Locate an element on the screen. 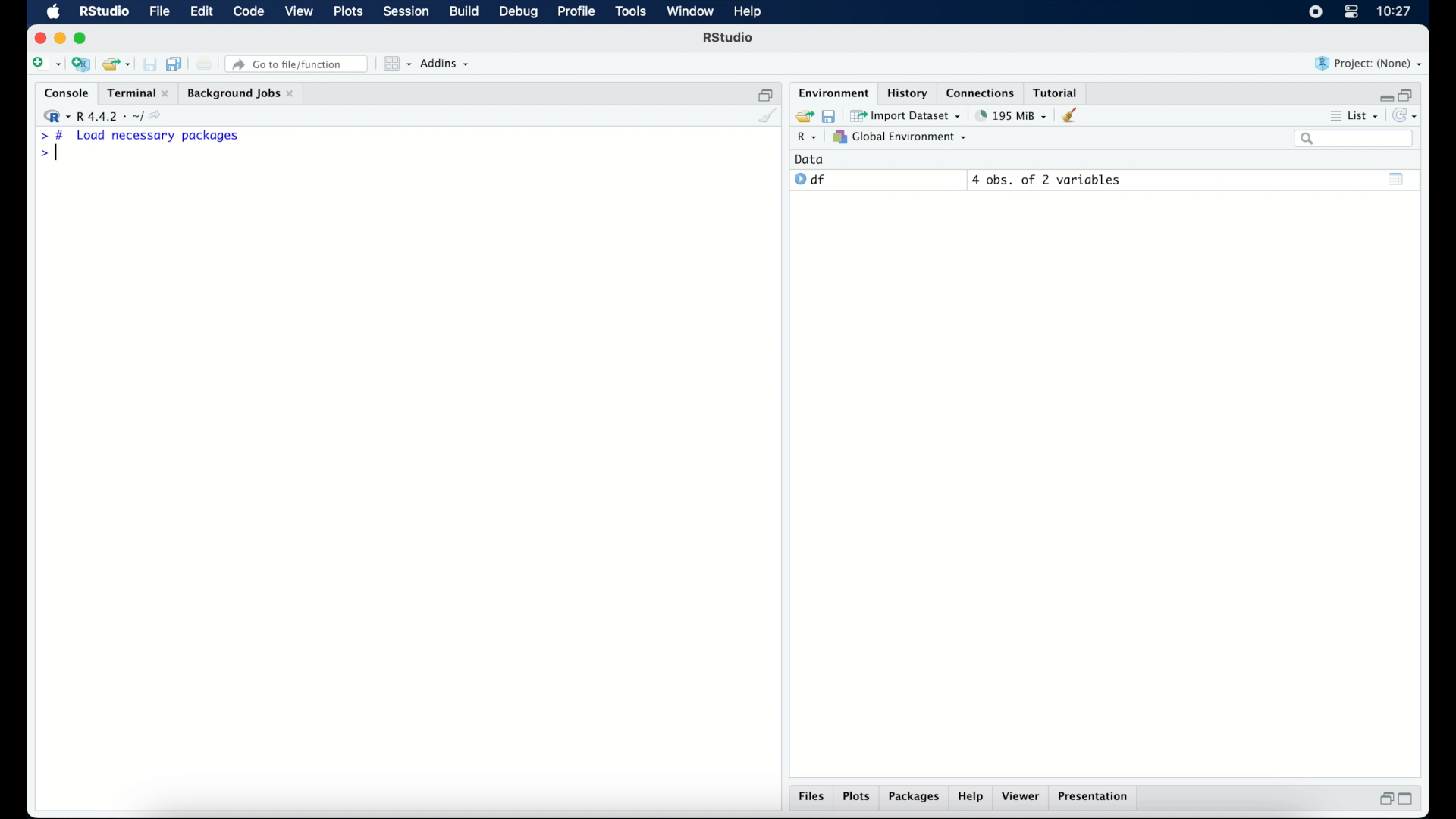 The width and height of the screenshot is (1456, 819). save is located at coordinates (149, 64).